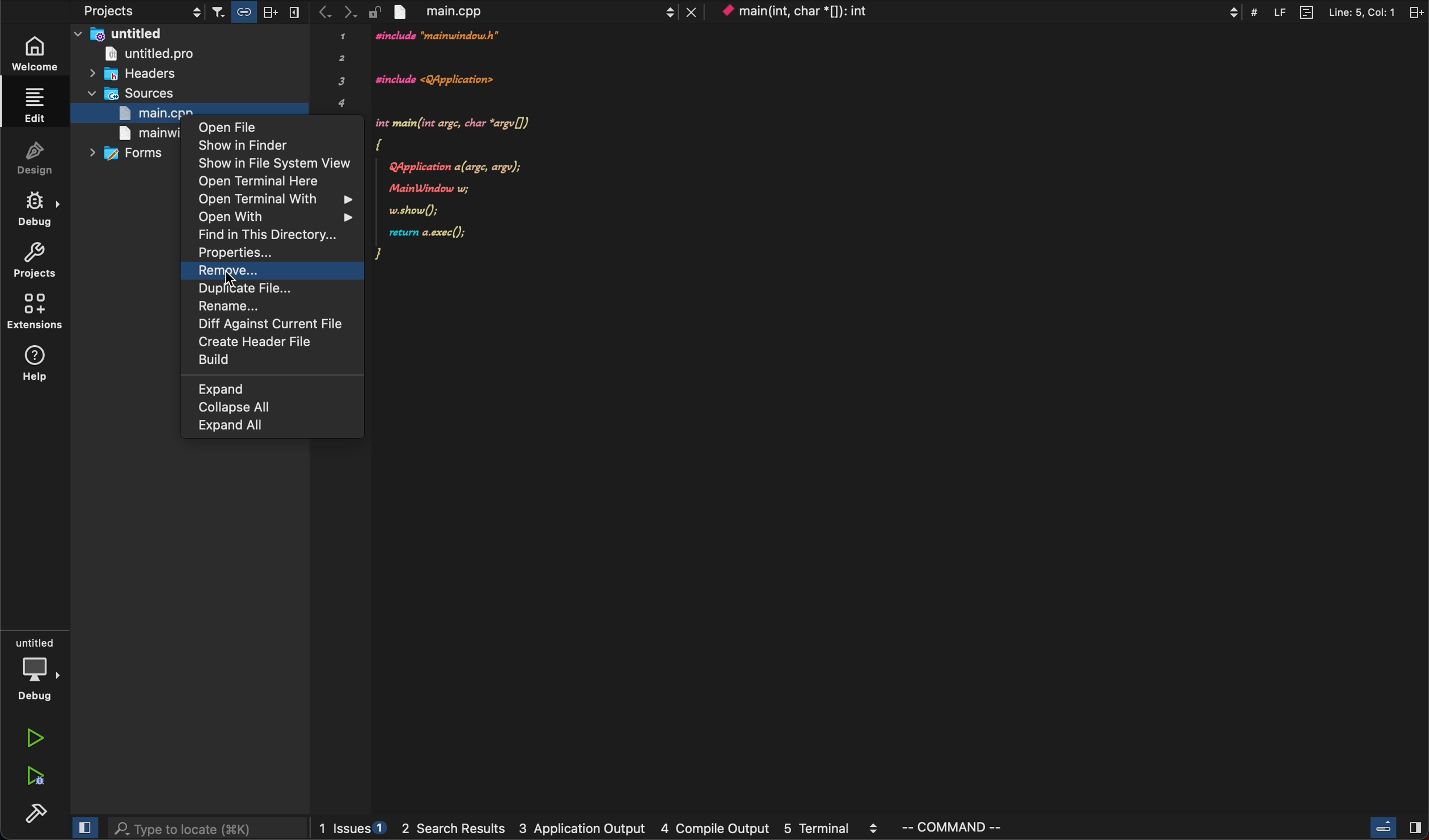  Describe the element at coordinates (1393, 828) in the screenshot. I see `close slide bar` at that location.